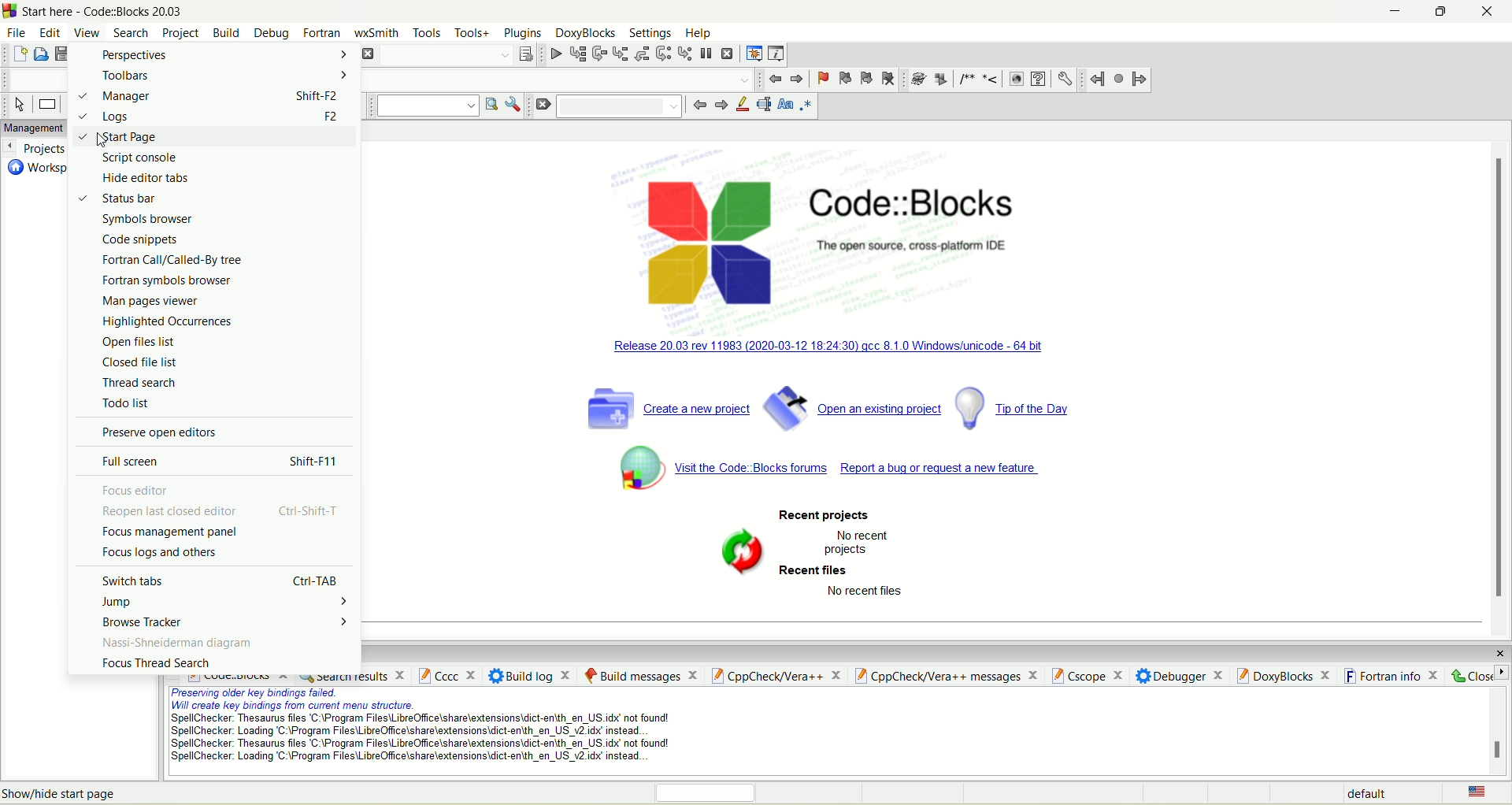  What do you see at coordinates (806, 106) in the screenshot?
I see `regex` at bounding box center [806, 106].